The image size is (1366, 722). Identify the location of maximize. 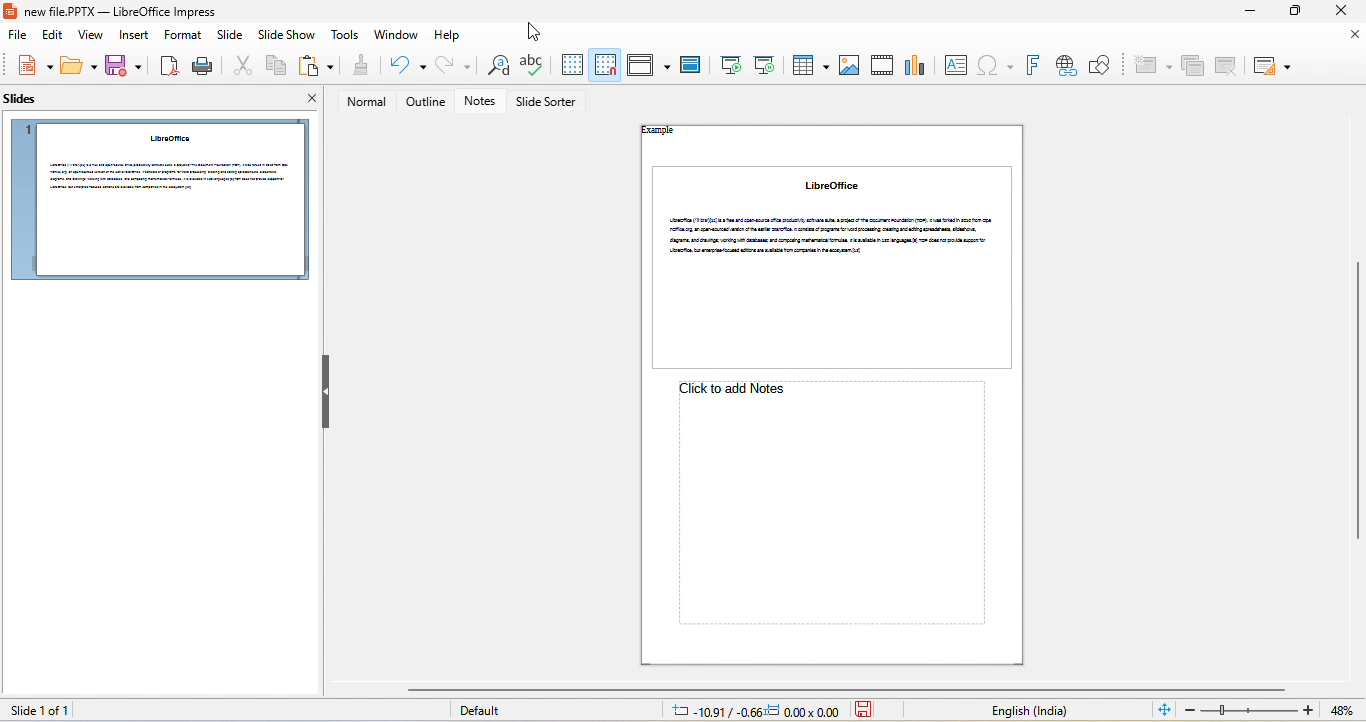
(1293, 12).